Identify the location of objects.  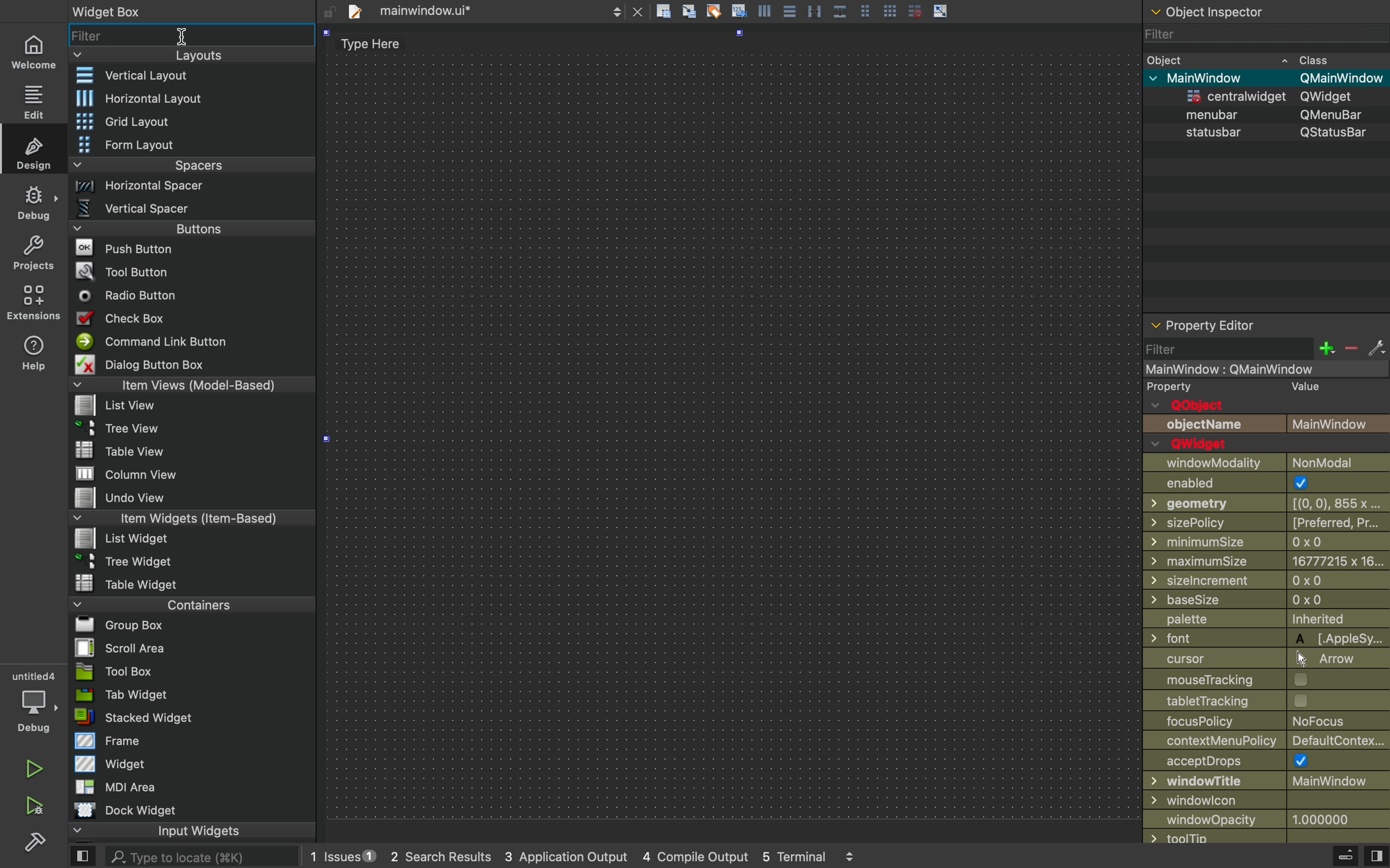
(1267, 416).